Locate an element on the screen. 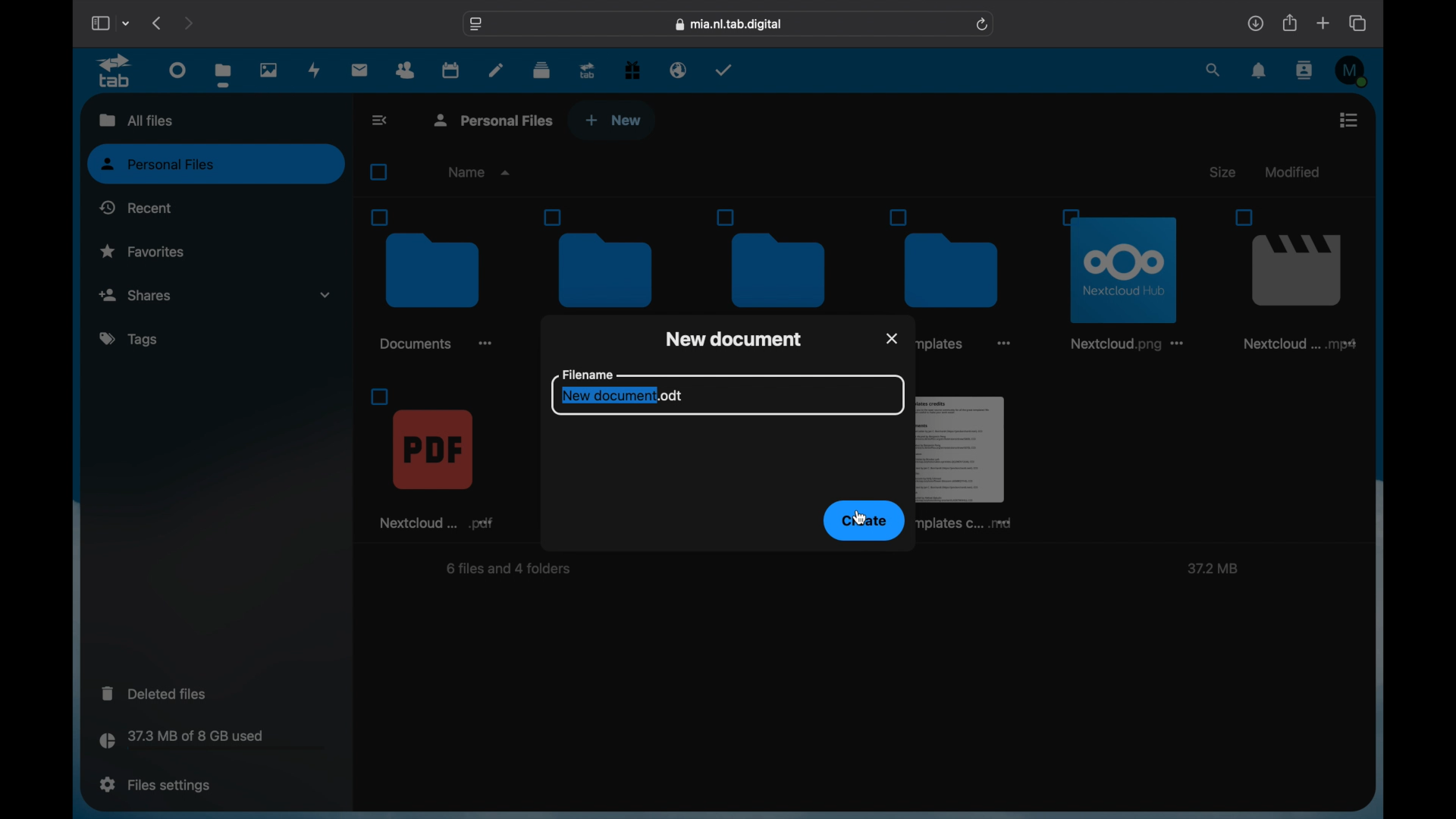  M is located at coordinates (1353, 71).